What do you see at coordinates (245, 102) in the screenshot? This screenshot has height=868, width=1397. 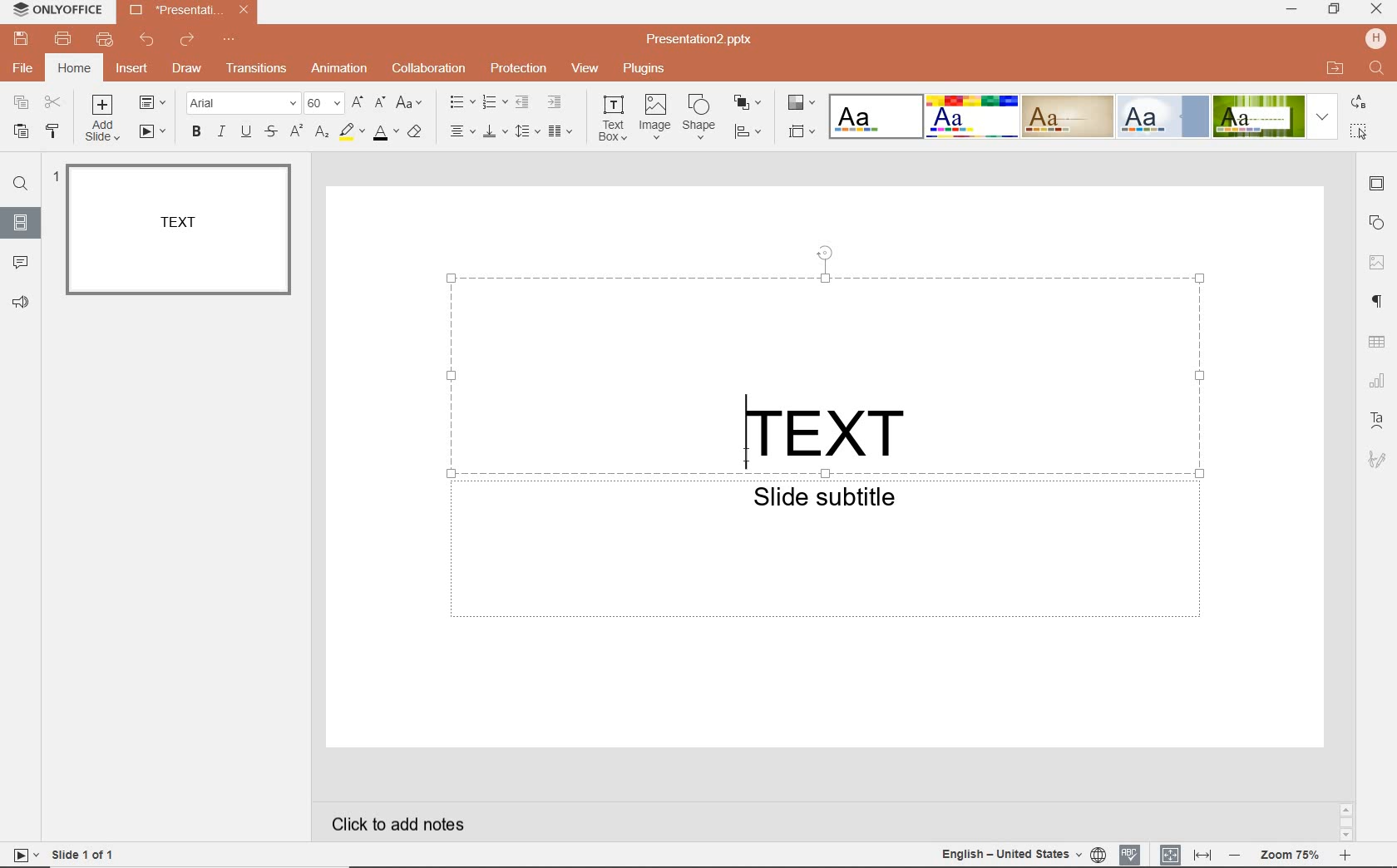 I see `FONT` at bounding box center [245, 102].